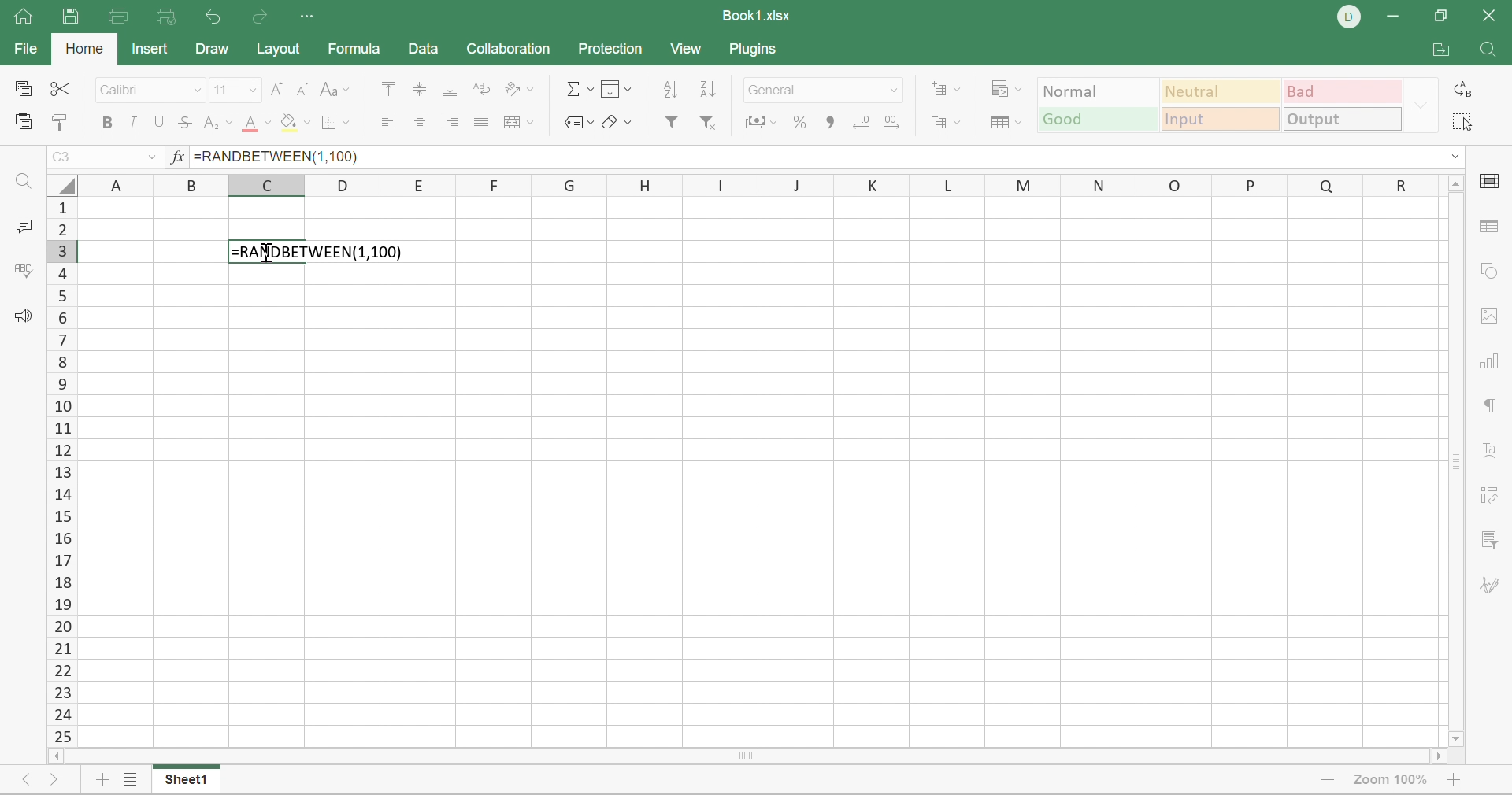  Describe the element at coordinates (1218, 93) in the screenshot. I see `Neutral` at that location.